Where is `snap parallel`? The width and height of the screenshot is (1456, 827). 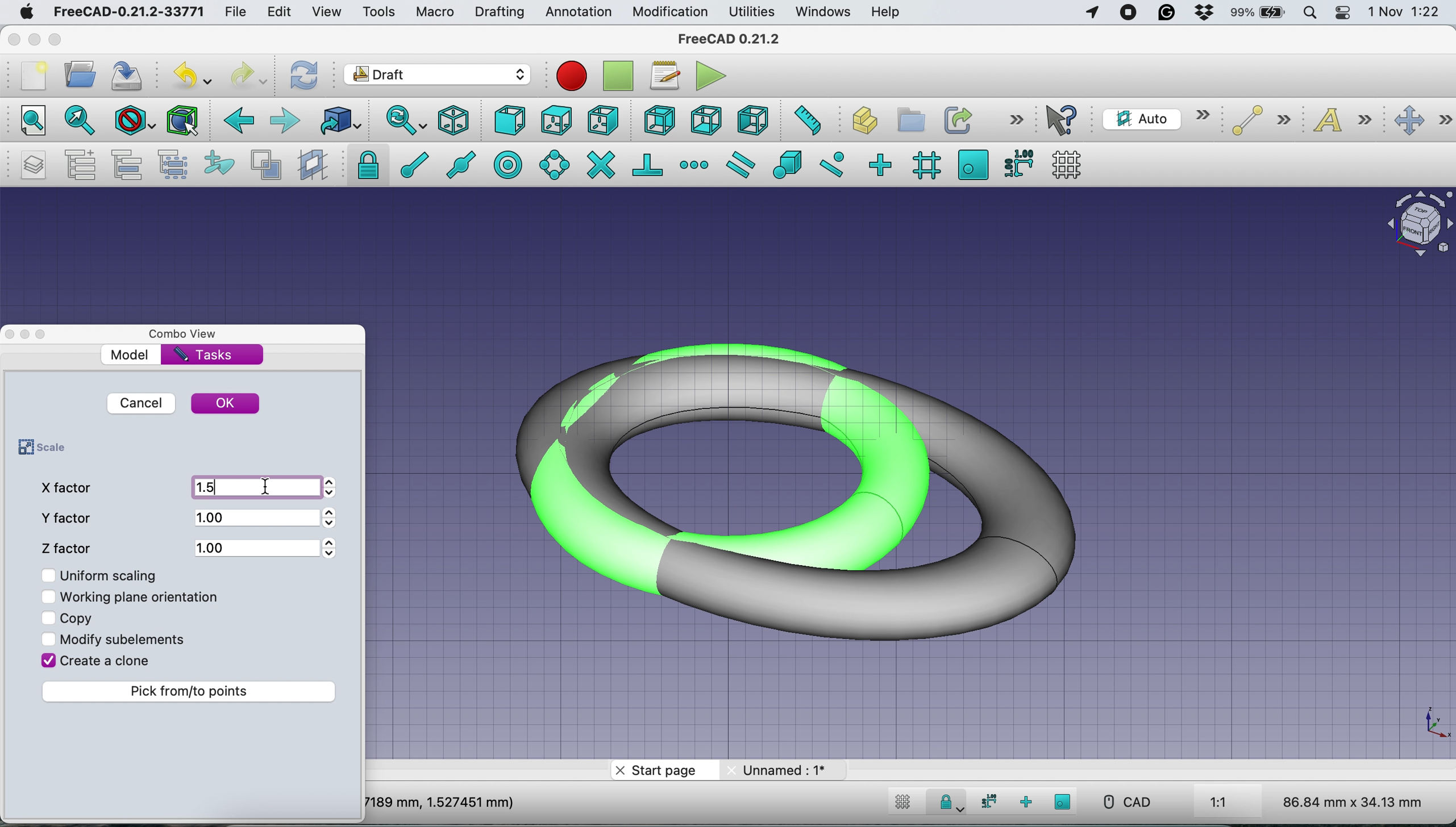
snap parallel is located at coordinates (744, 164).